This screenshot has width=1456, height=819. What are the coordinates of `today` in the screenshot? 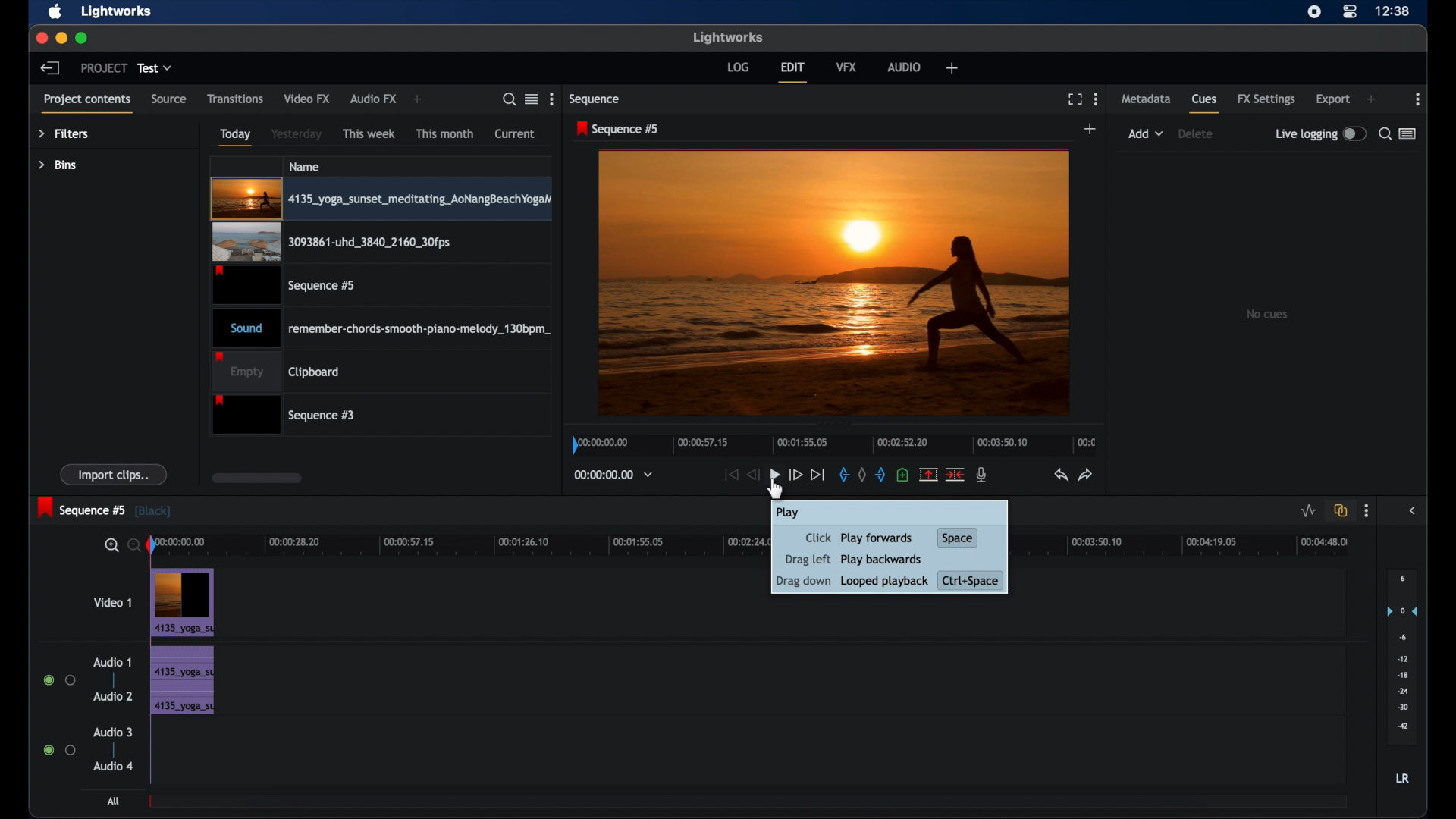 It's located at (236, 137).